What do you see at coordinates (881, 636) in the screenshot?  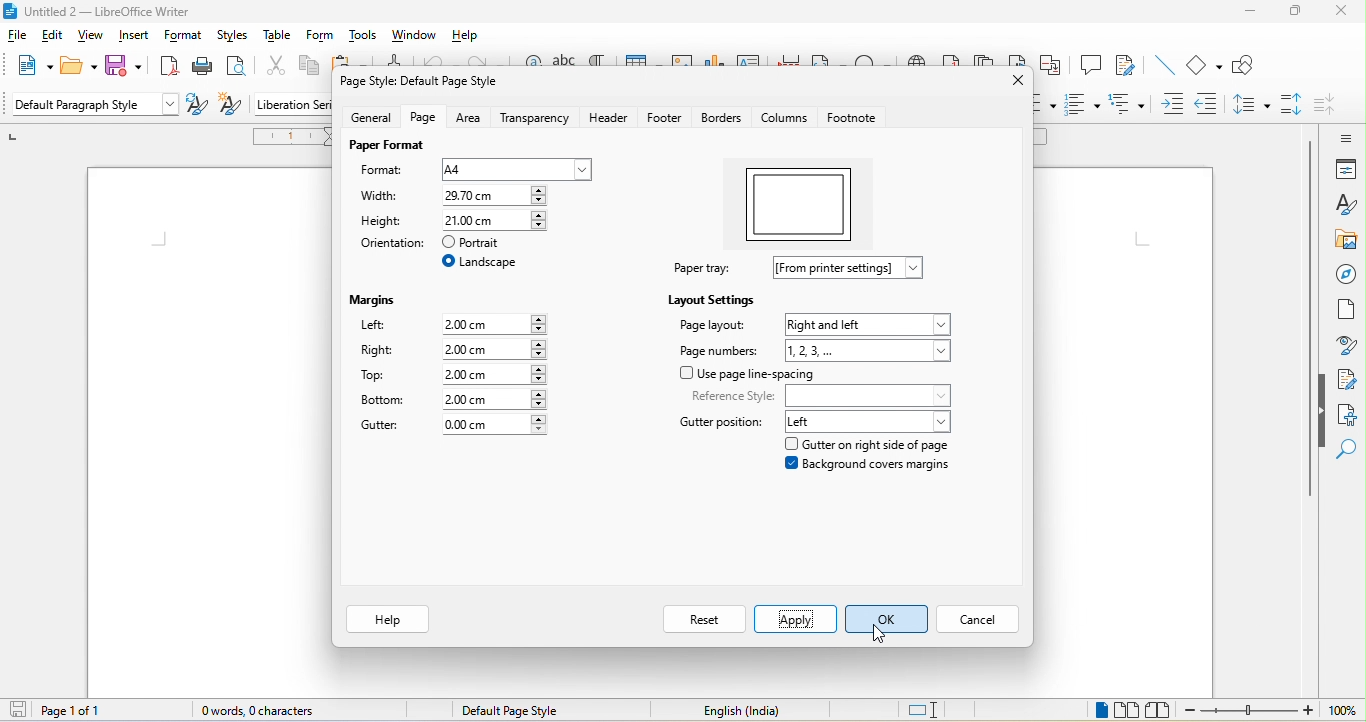 I see `cursor movement` at bounding box center [881, 636].